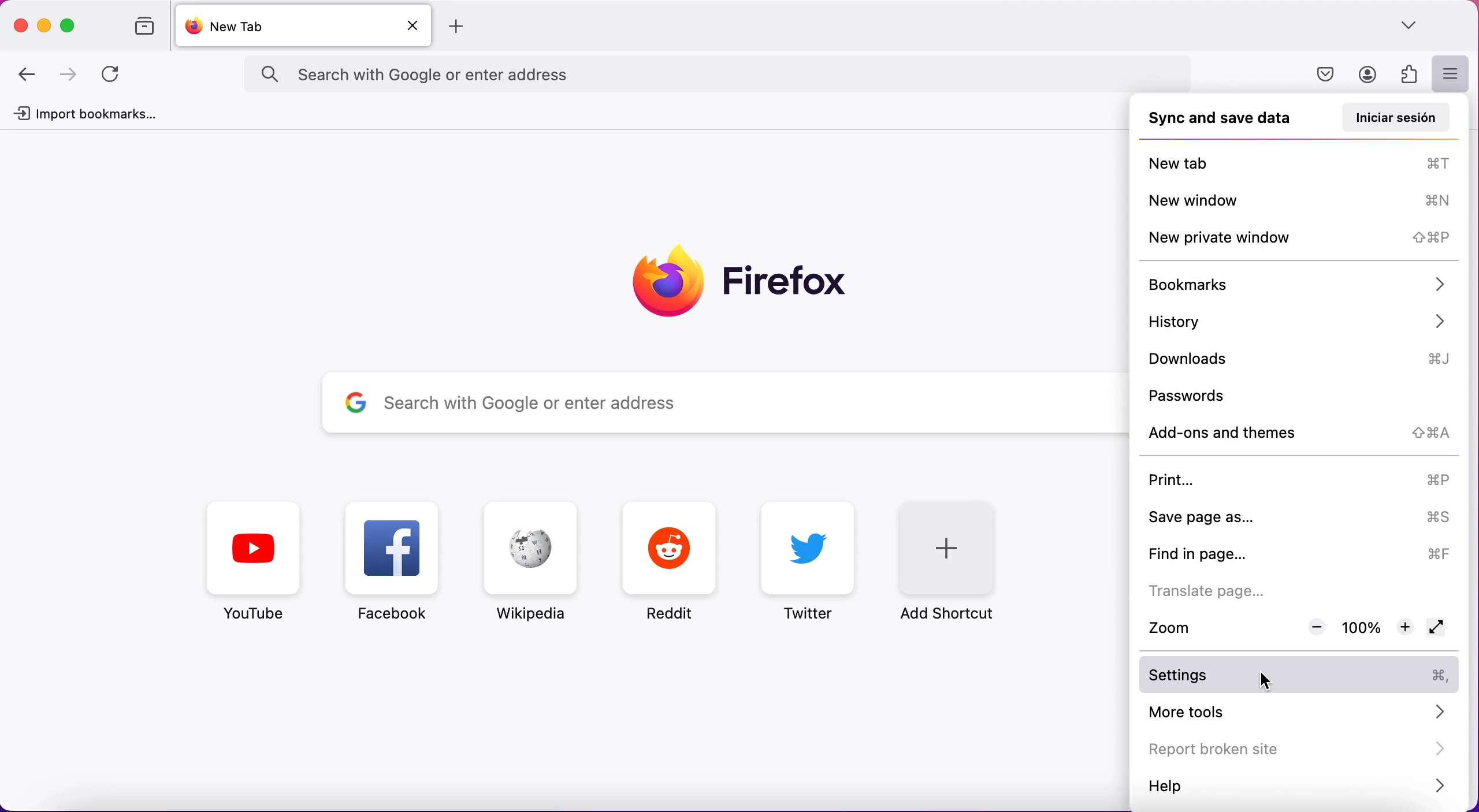 This screenshot has height=812, width=1479. I want to click on new private window, so click(1296, 236).